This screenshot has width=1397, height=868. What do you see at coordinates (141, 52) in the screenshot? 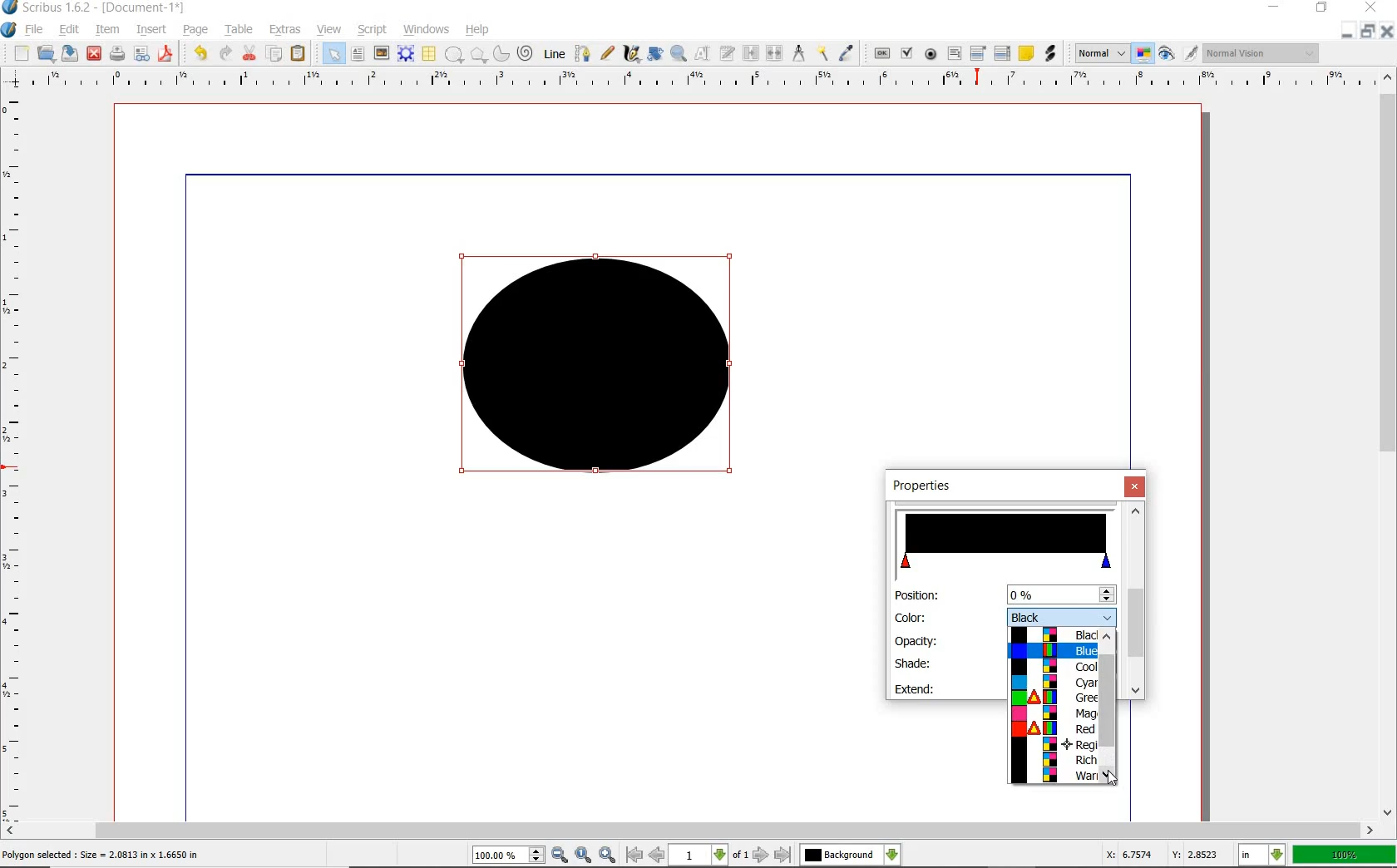
I see `PREFLIGHT VERIFIER` at bounding box center [141, 52].